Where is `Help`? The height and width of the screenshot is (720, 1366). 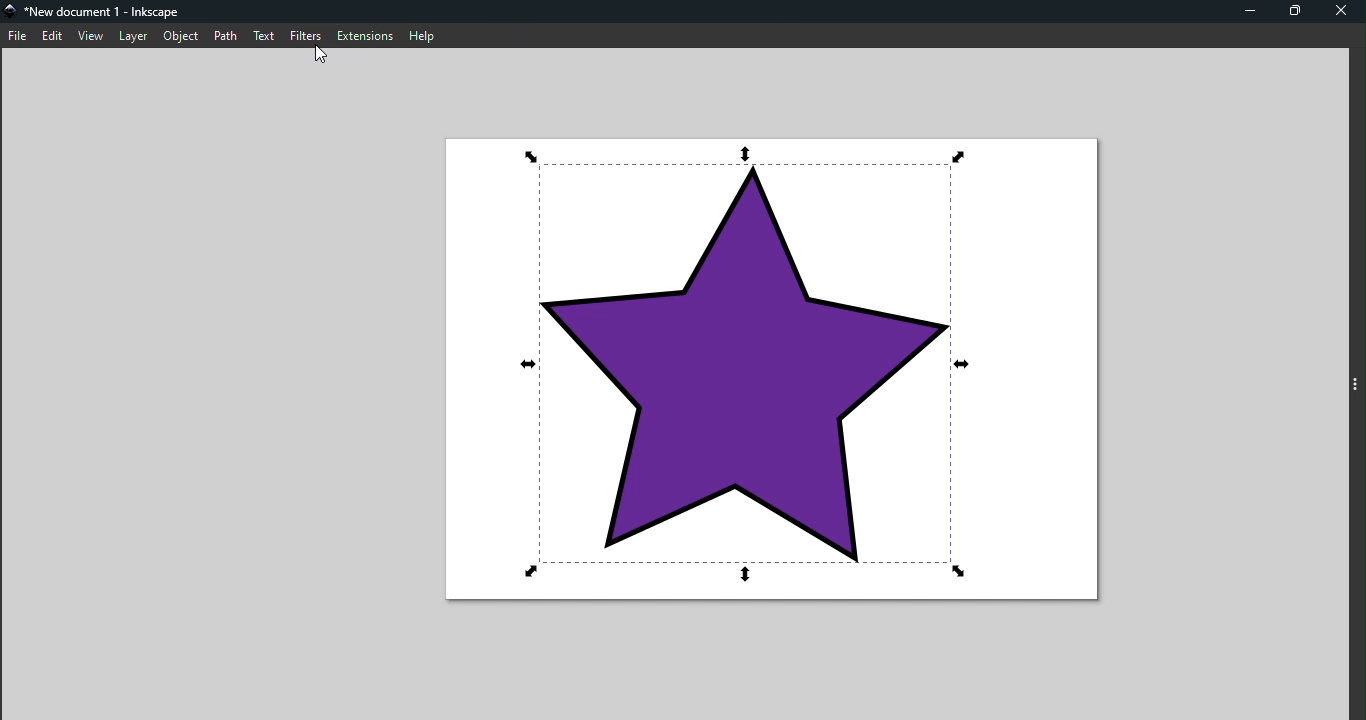 Help is located at coordinates (421, 34).